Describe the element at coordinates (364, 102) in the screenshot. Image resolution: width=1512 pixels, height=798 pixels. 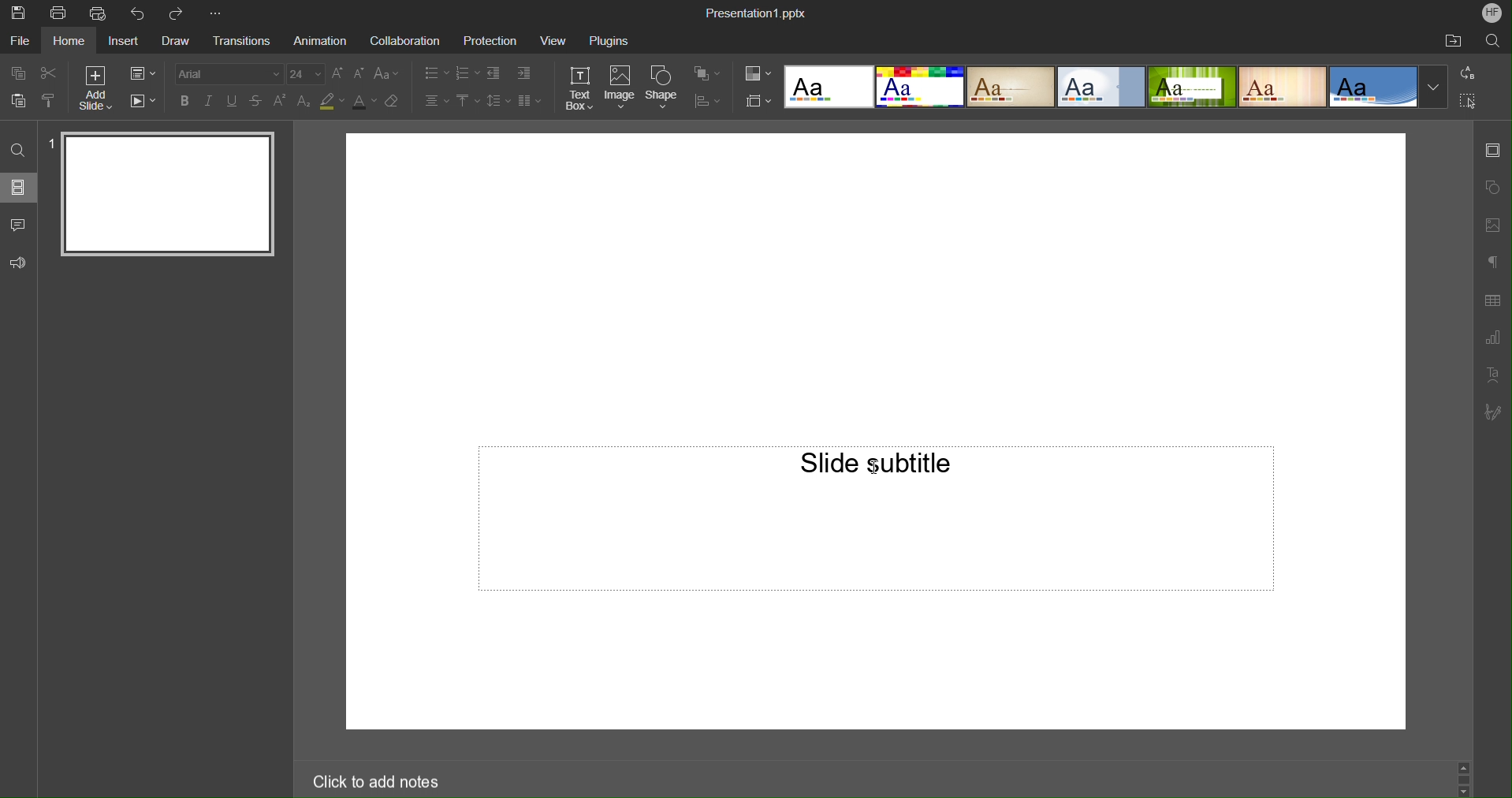
I see `Text Color` at that location.